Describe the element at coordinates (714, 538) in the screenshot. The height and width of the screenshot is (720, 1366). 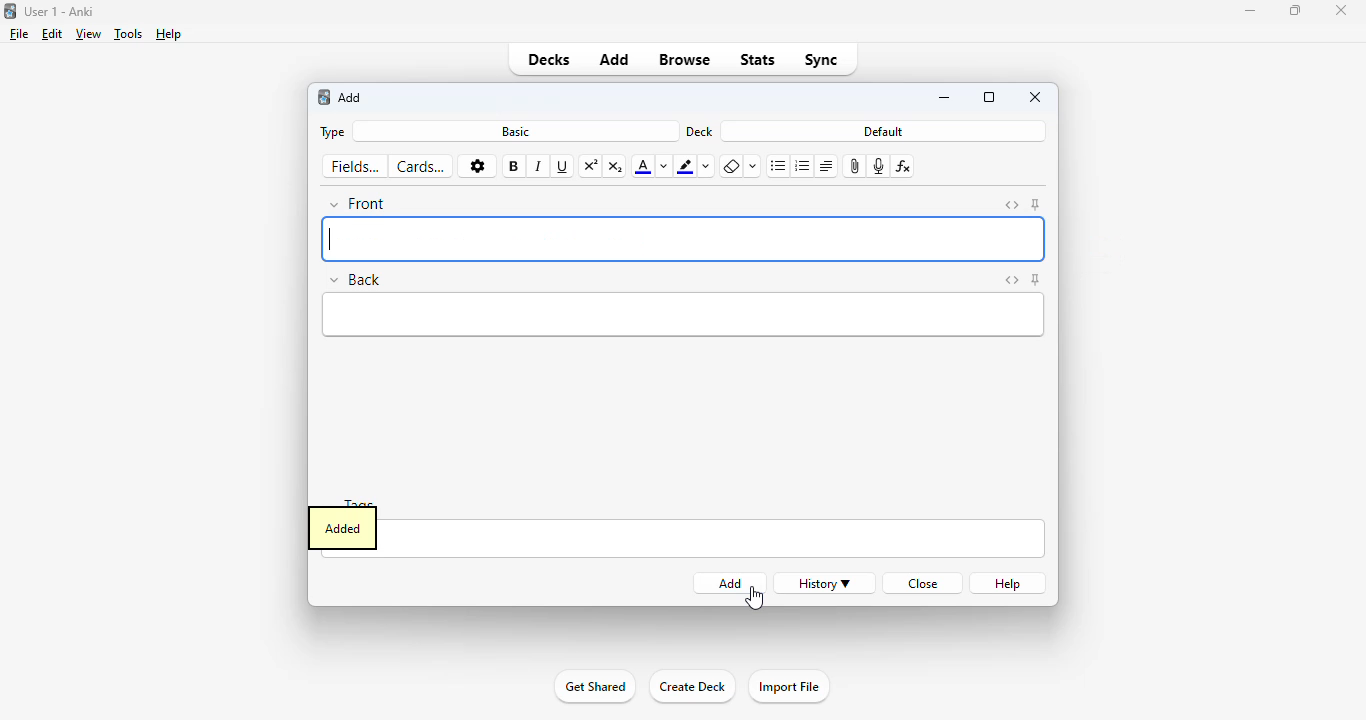
I see `add tags` at that location.